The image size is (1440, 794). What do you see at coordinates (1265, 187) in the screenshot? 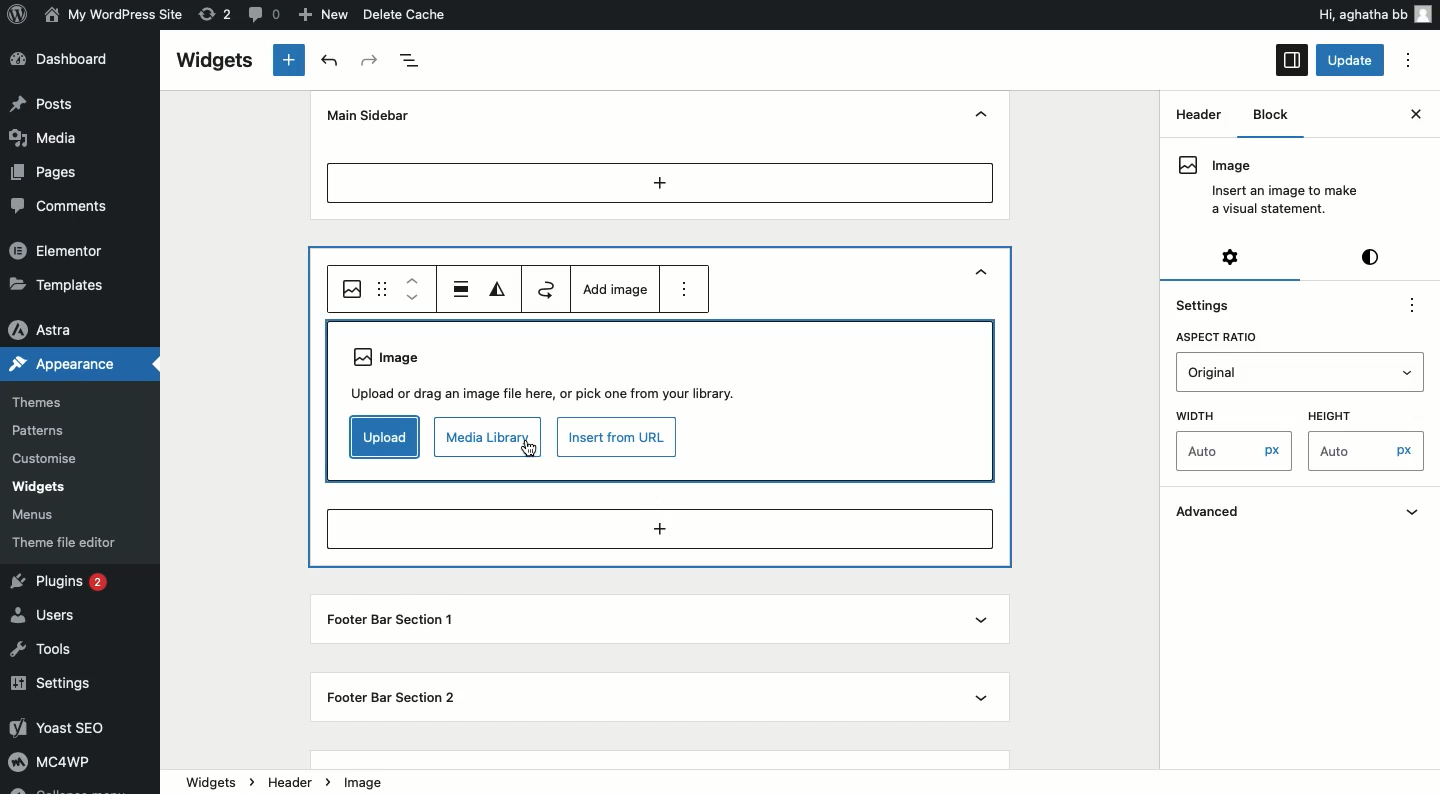
I see `Image` at bounding box center [1265, 187].